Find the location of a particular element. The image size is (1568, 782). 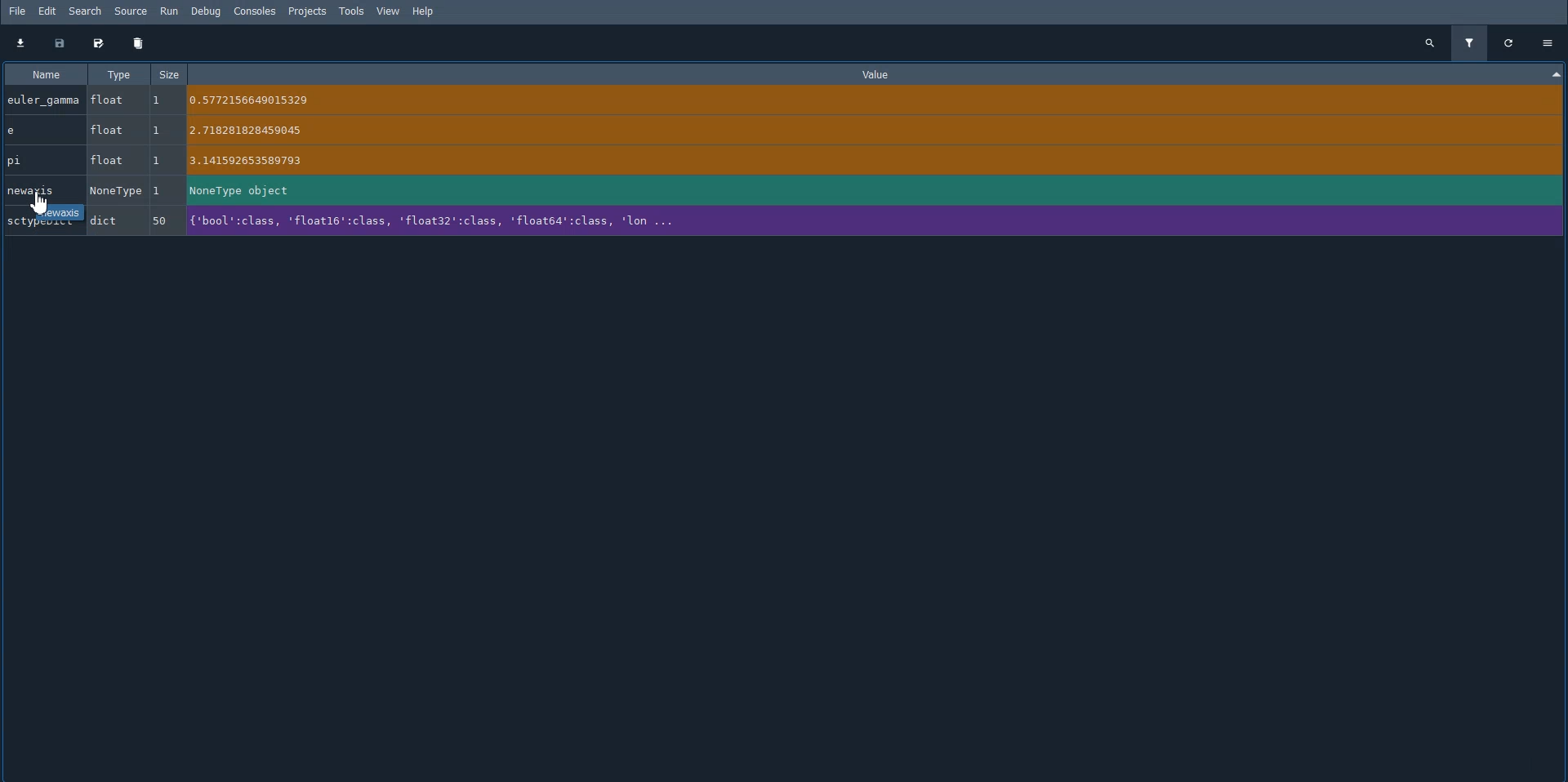

Help is located at coordinates (423, 12).